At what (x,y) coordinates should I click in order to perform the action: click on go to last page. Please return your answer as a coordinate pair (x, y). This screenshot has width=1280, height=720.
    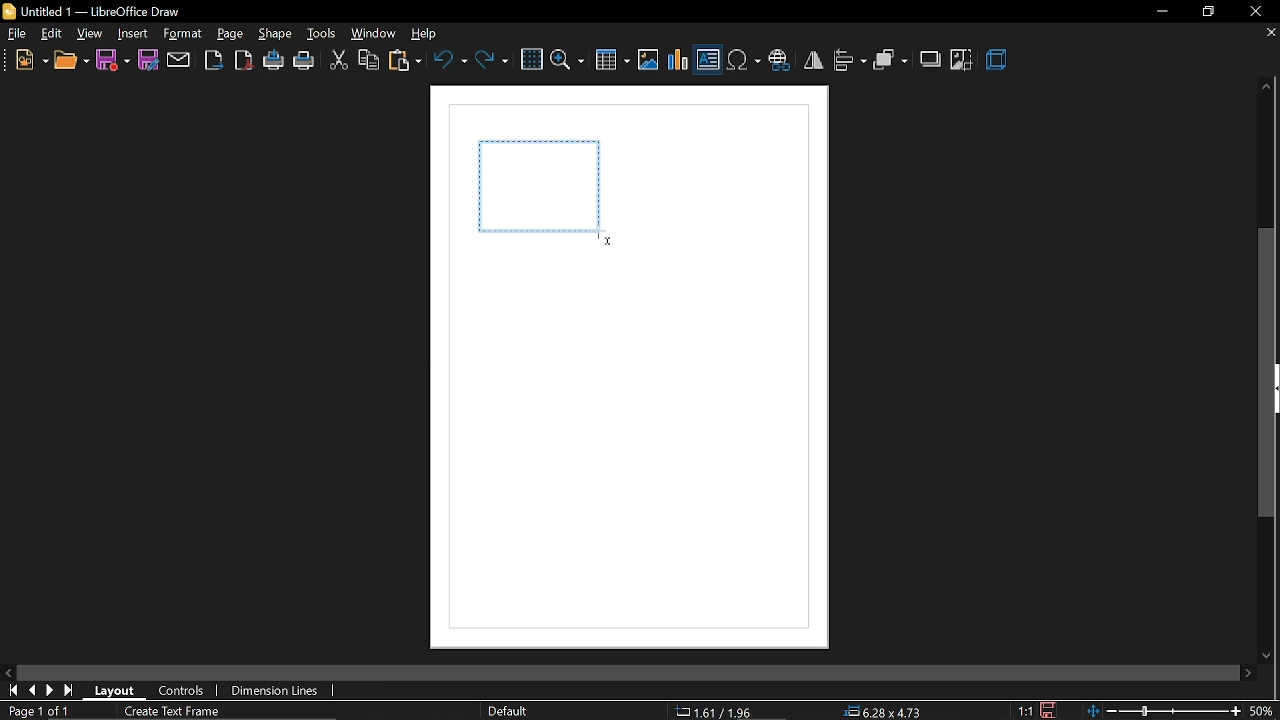
    Looking at the image, I should click on (53, 691).